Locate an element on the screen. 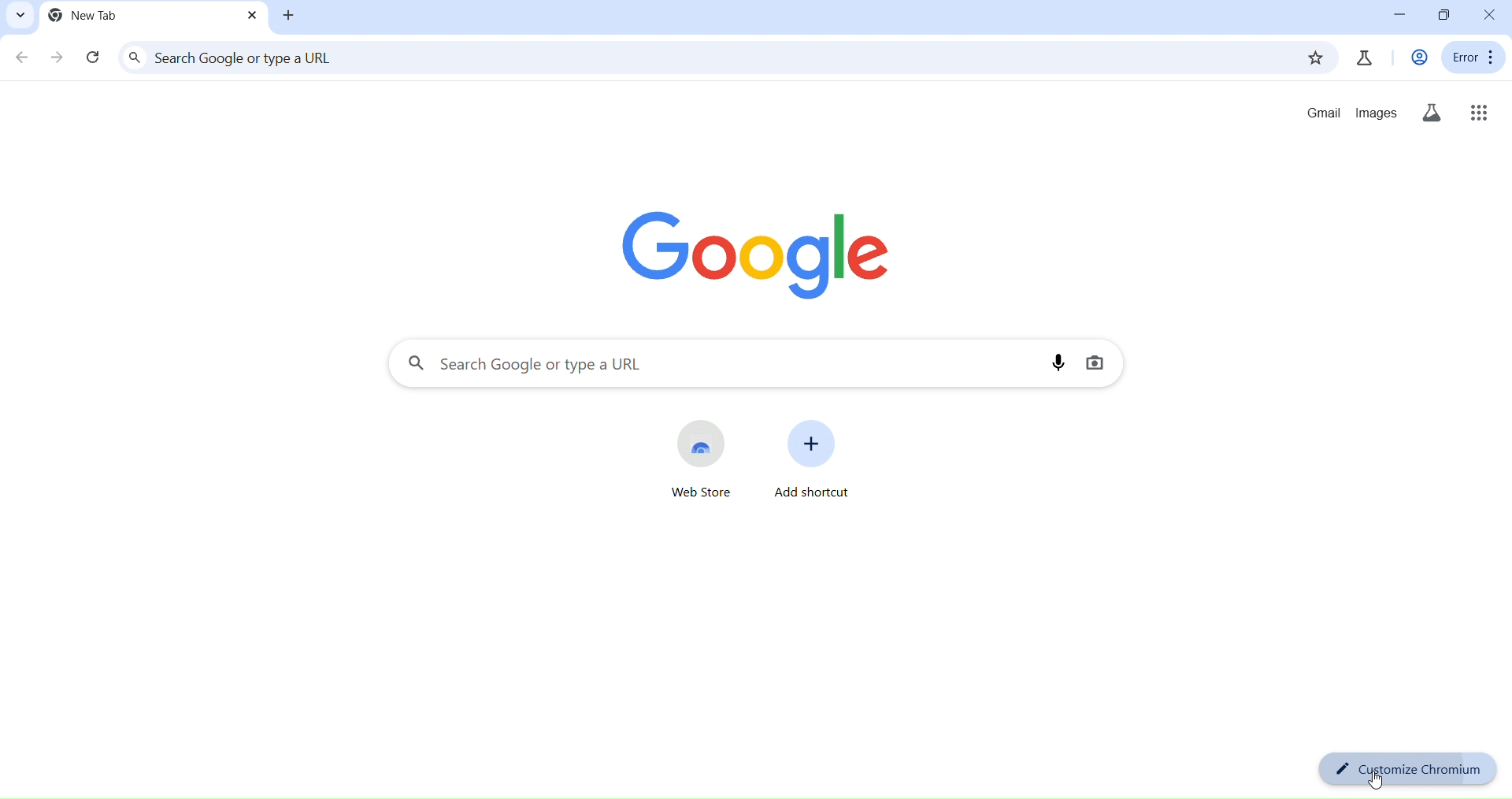  search labs is located at coordinates (1364, 58).